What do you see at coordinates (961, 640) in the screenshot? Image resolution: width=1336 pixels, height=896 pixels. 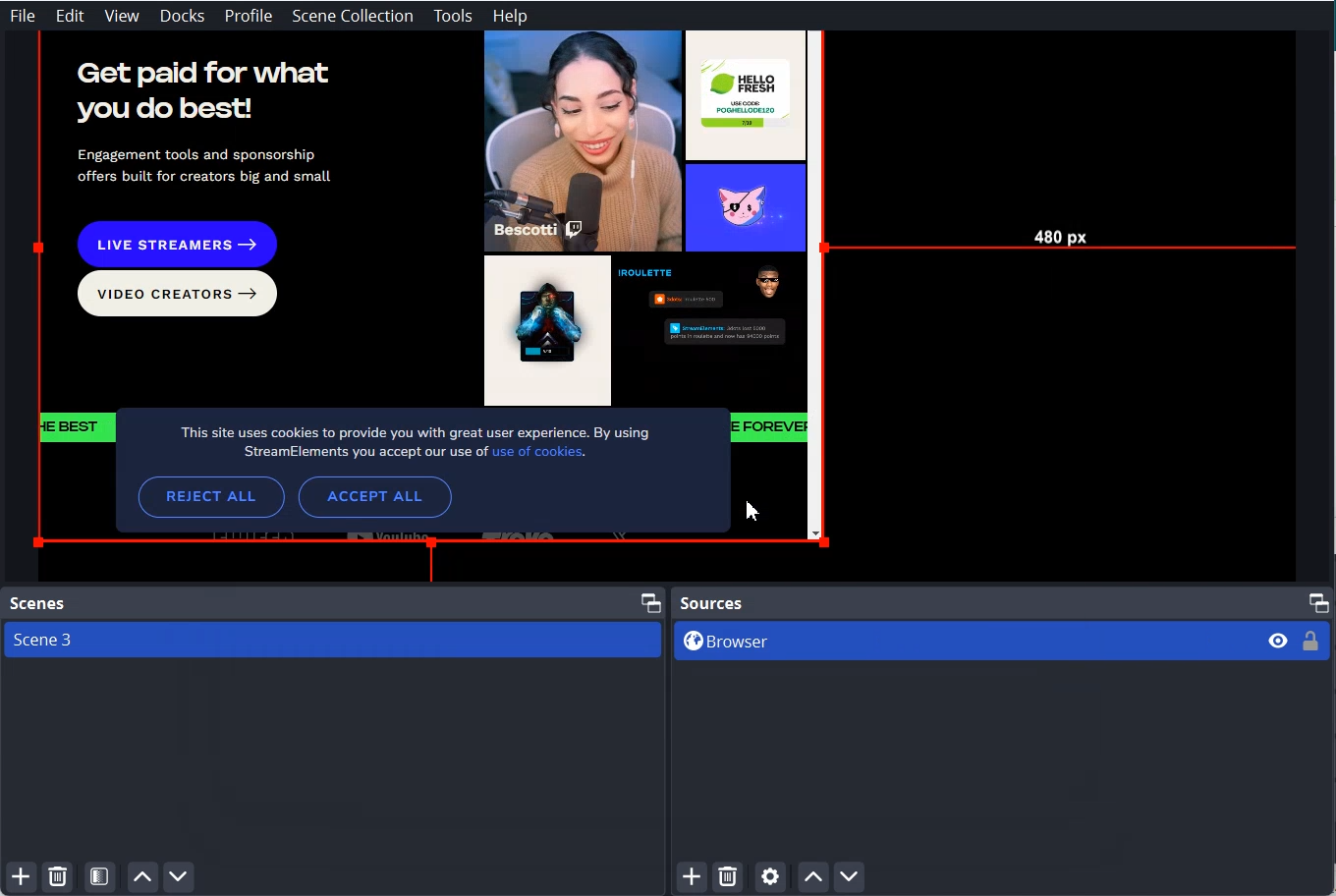 I see `Browser` at bounding box center [961, 640].